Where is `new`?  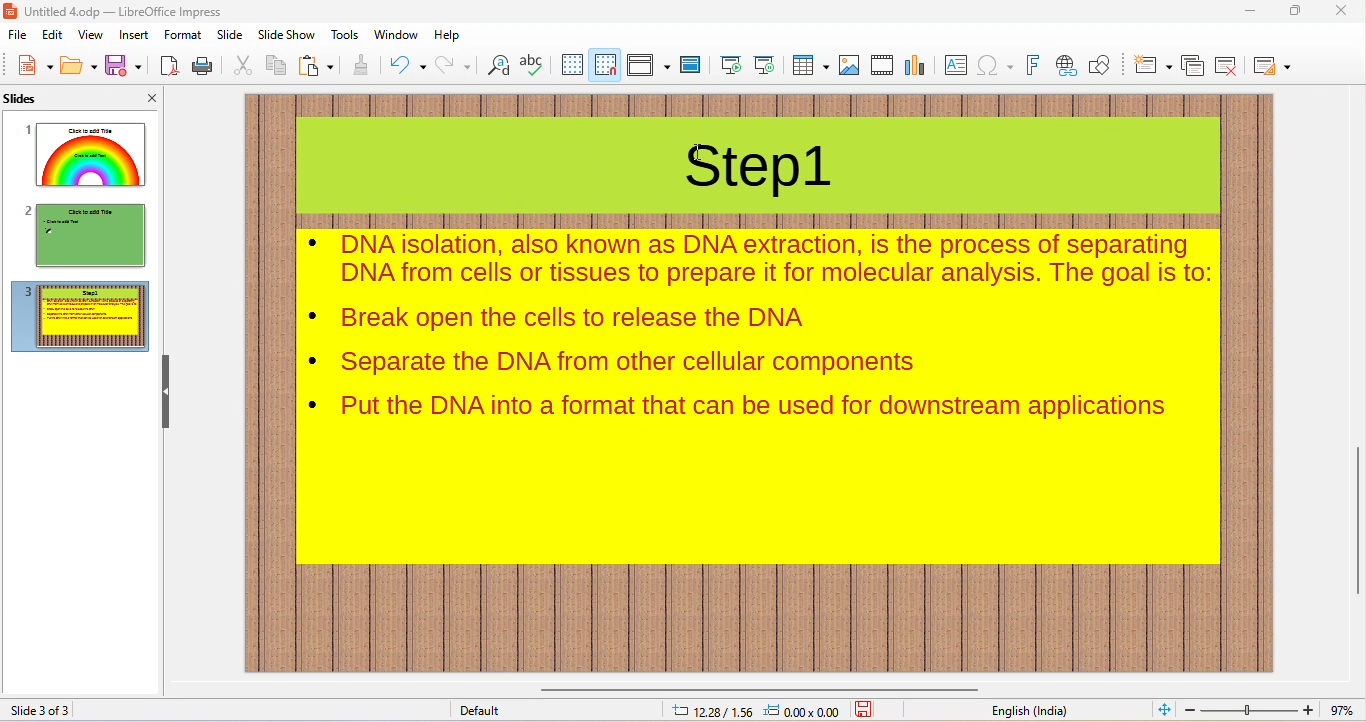 new is located at coordinates (33, 64).